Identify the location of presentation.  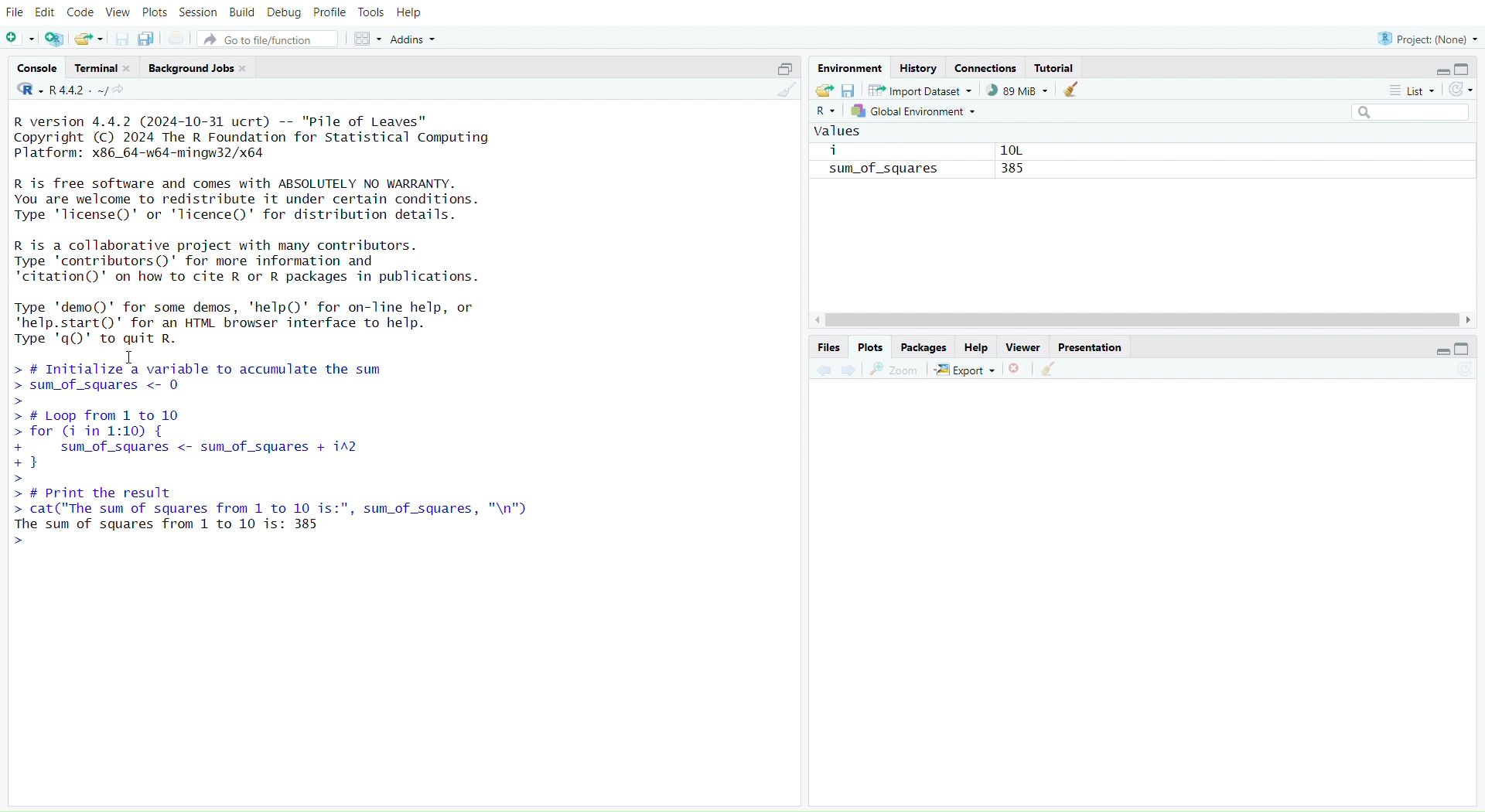
(1089, 346).